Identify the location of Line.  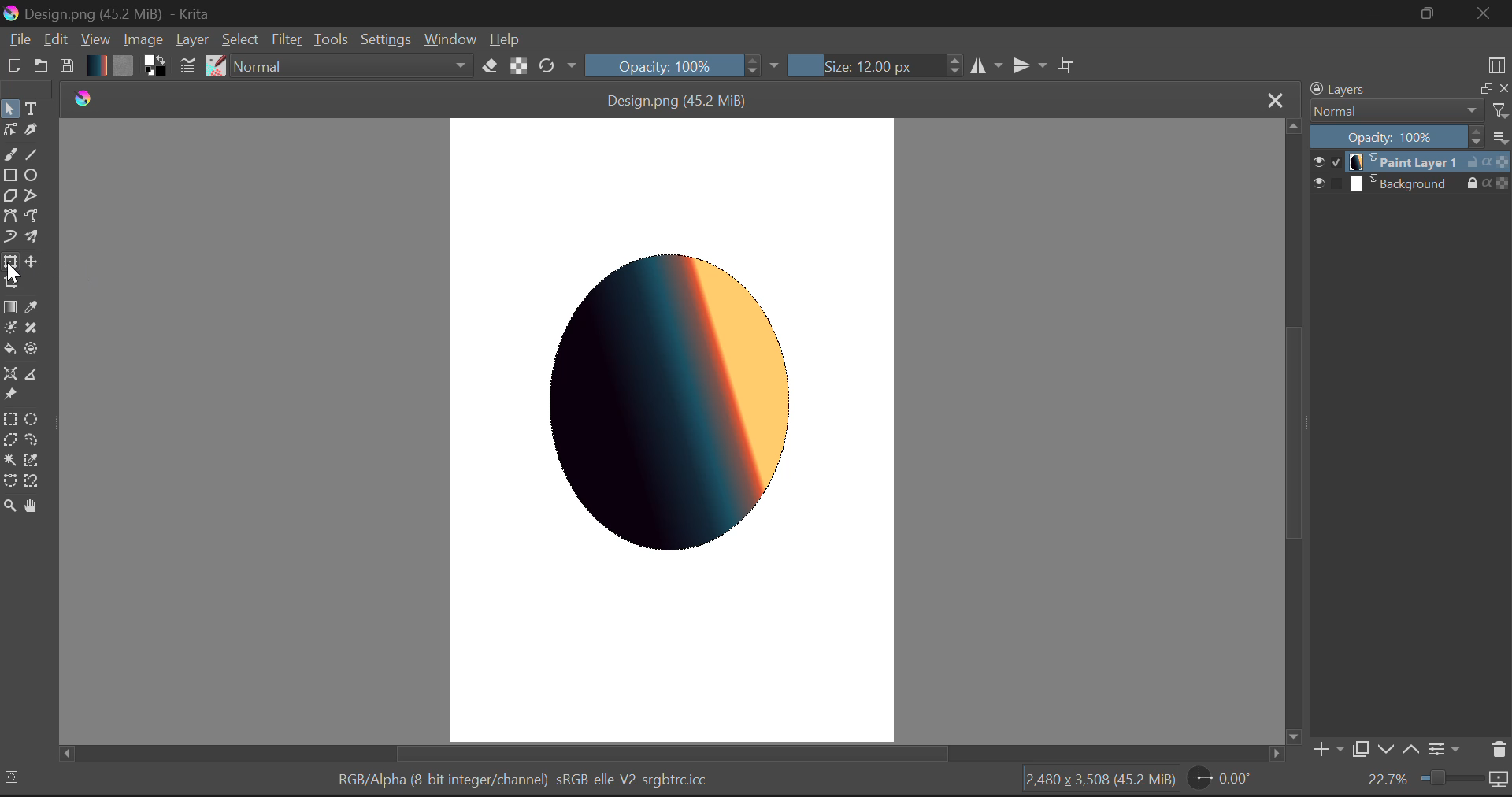
(30, 153).